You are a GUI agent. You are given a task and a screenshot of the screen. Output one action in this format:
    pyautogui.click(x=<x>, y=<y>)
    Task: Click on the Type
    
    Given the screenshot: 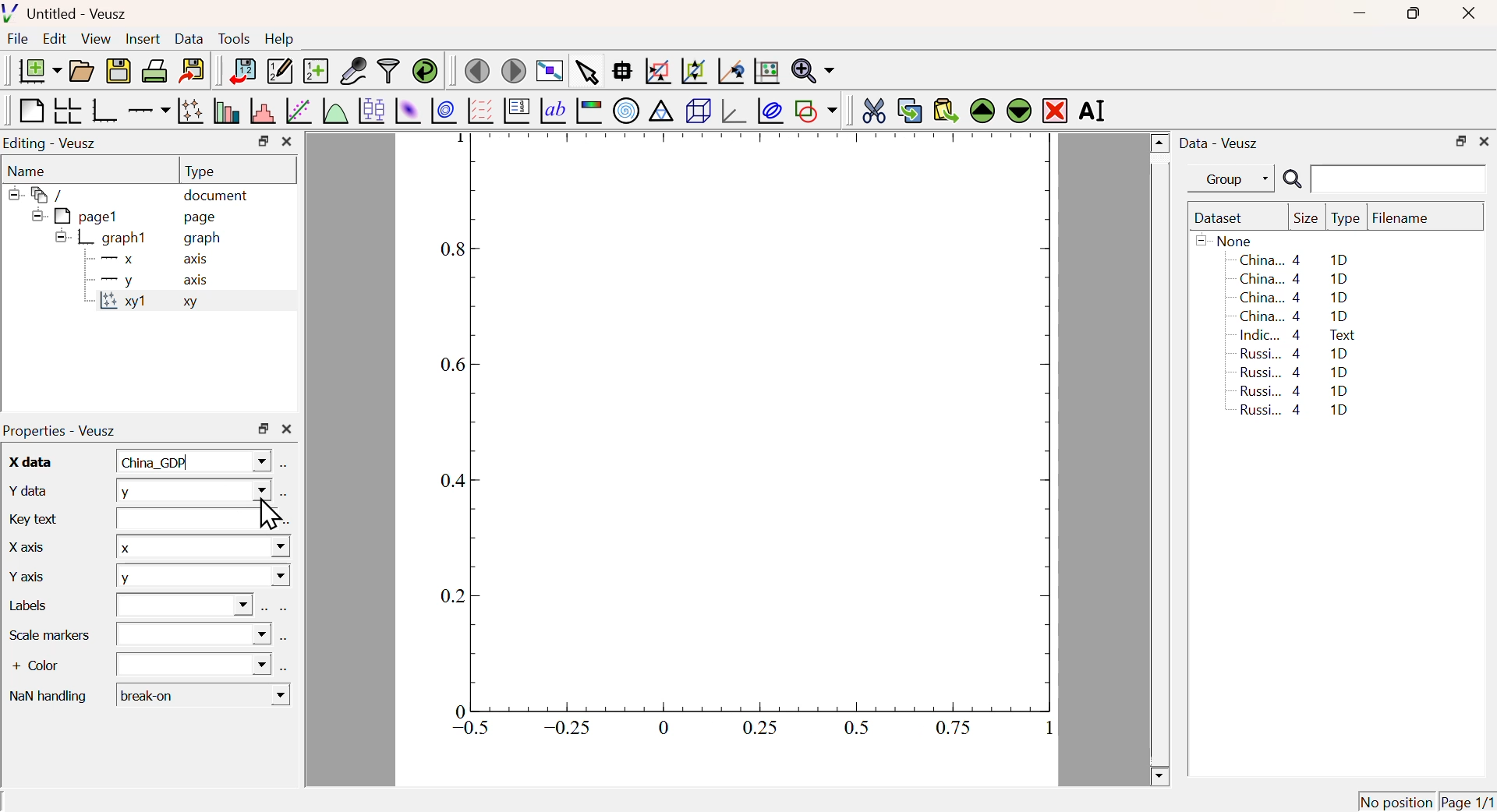 What is the action you would take?
    pyautogui.click(x=200, y=171)
    